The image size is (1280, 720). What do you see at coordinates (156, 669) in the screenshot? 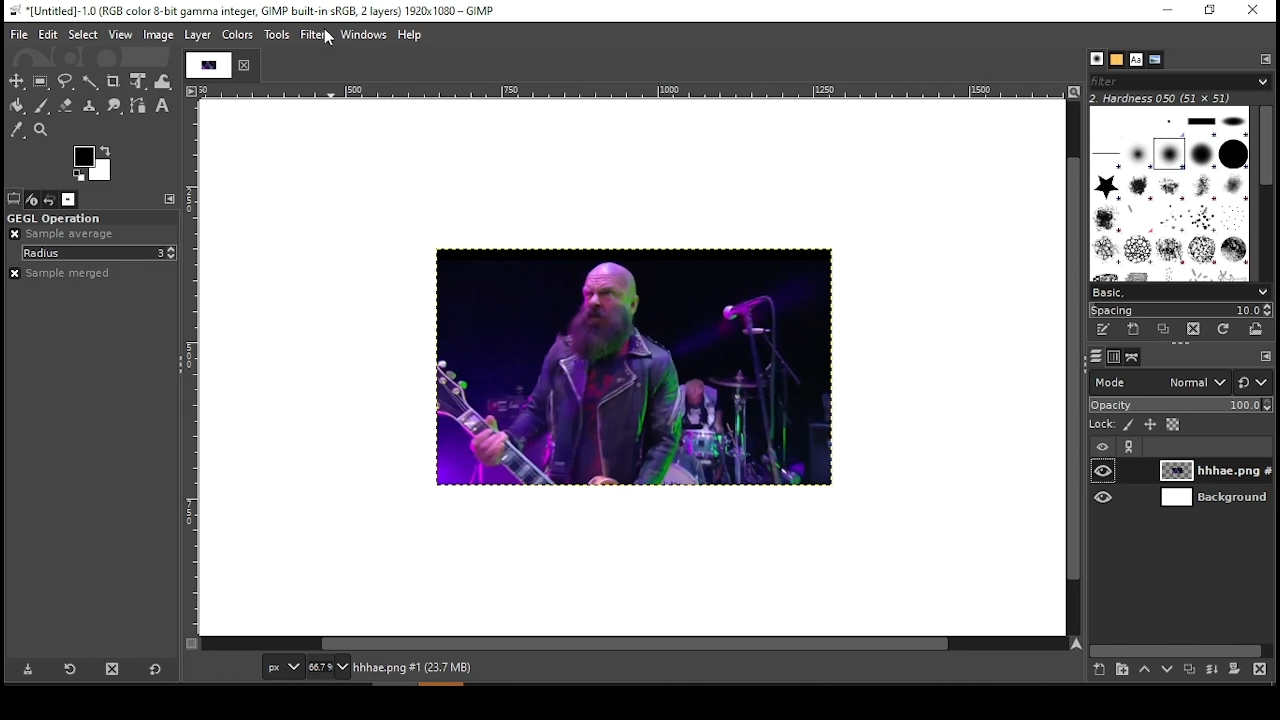
I see `restore to defaults` at bounding box center [156, 669].